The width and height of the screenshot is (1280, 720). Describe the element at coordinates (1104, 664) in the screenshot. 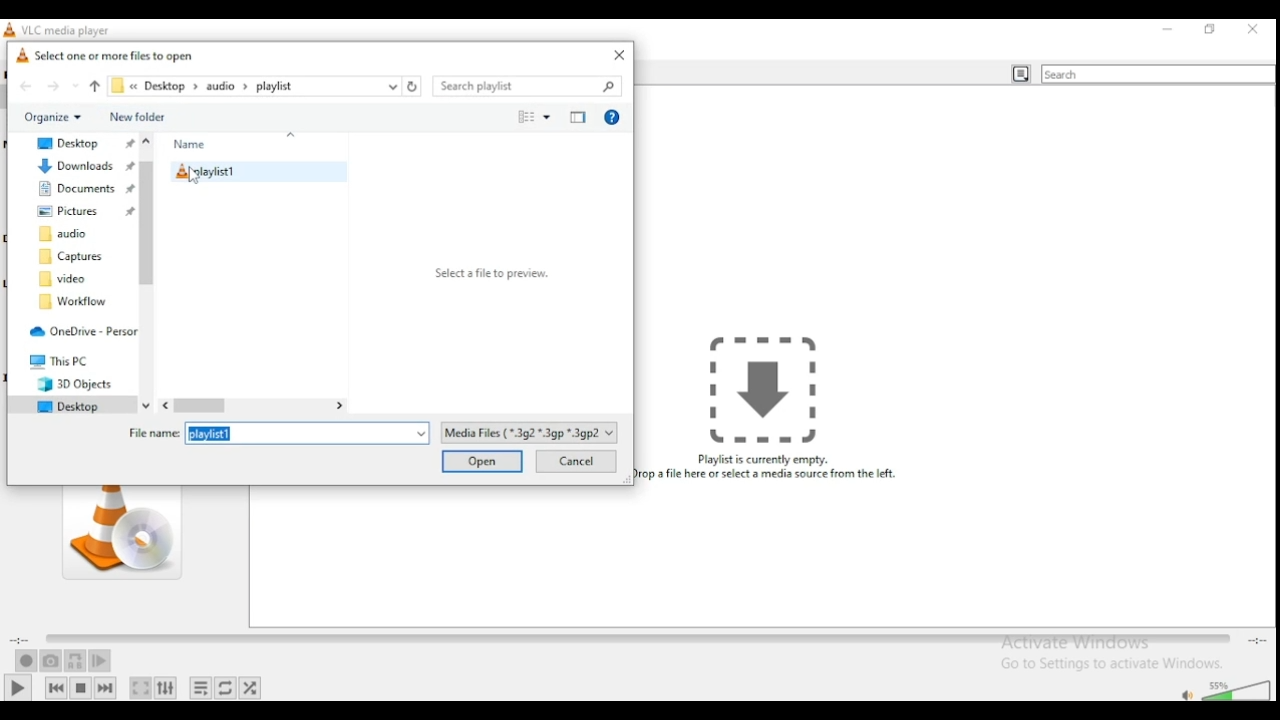

I see `Go to settings to activate windows` at that location.